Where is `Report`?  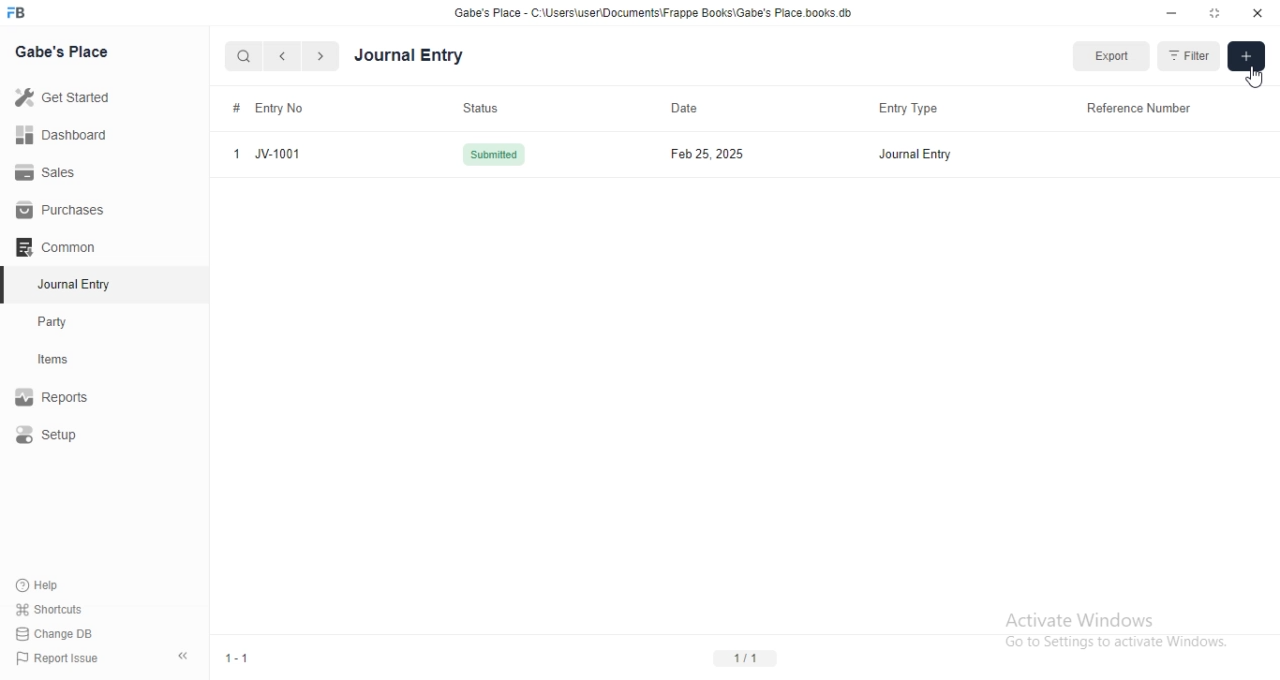 Report is located at coordinates (67, 397).